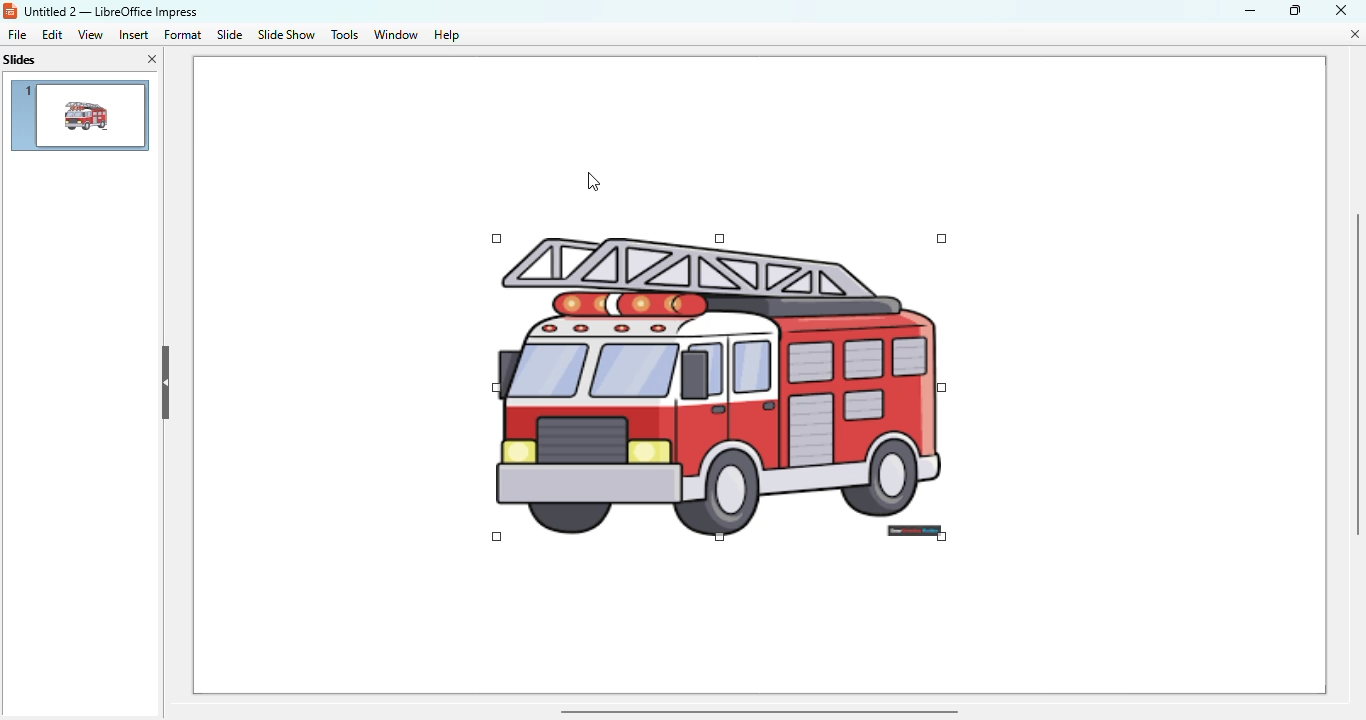 This screenshot has width=1366, height=720. Describe the element at coordinates (1342, 9) in the screenshot. I see `close` at that location.